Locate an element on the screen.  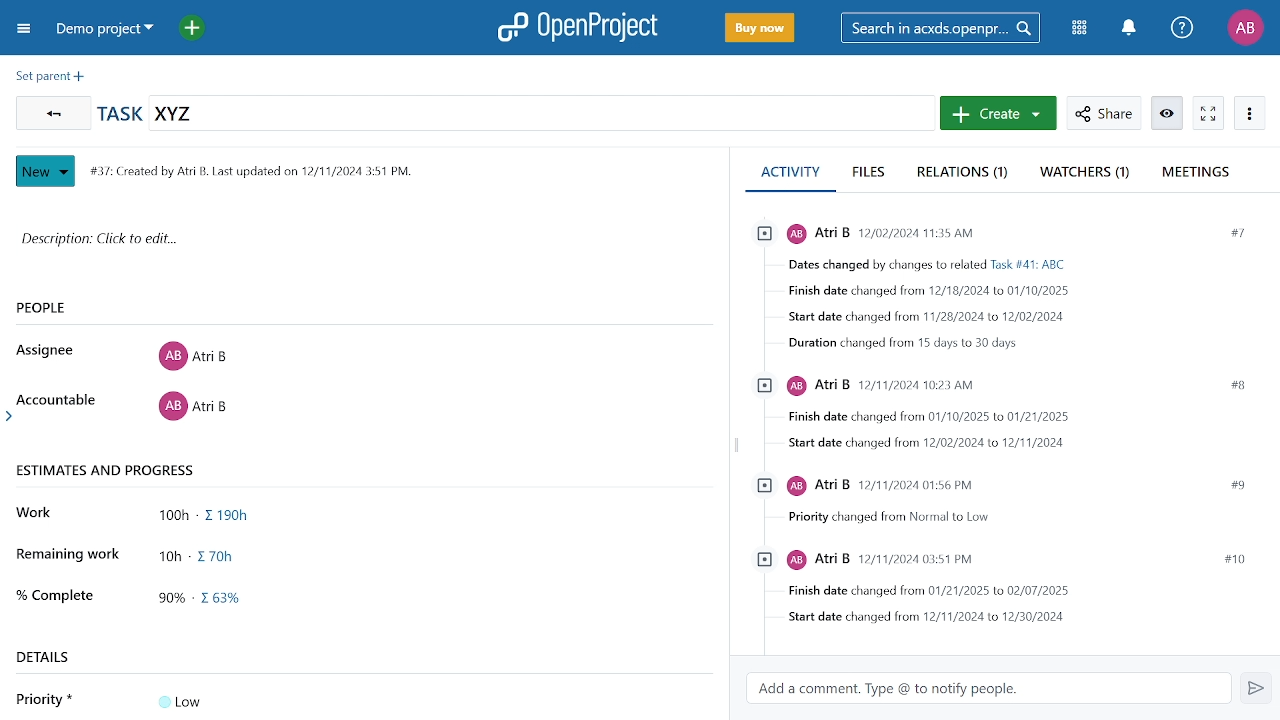
chronological Activity log for he project is located at coordinates (1012, 427).